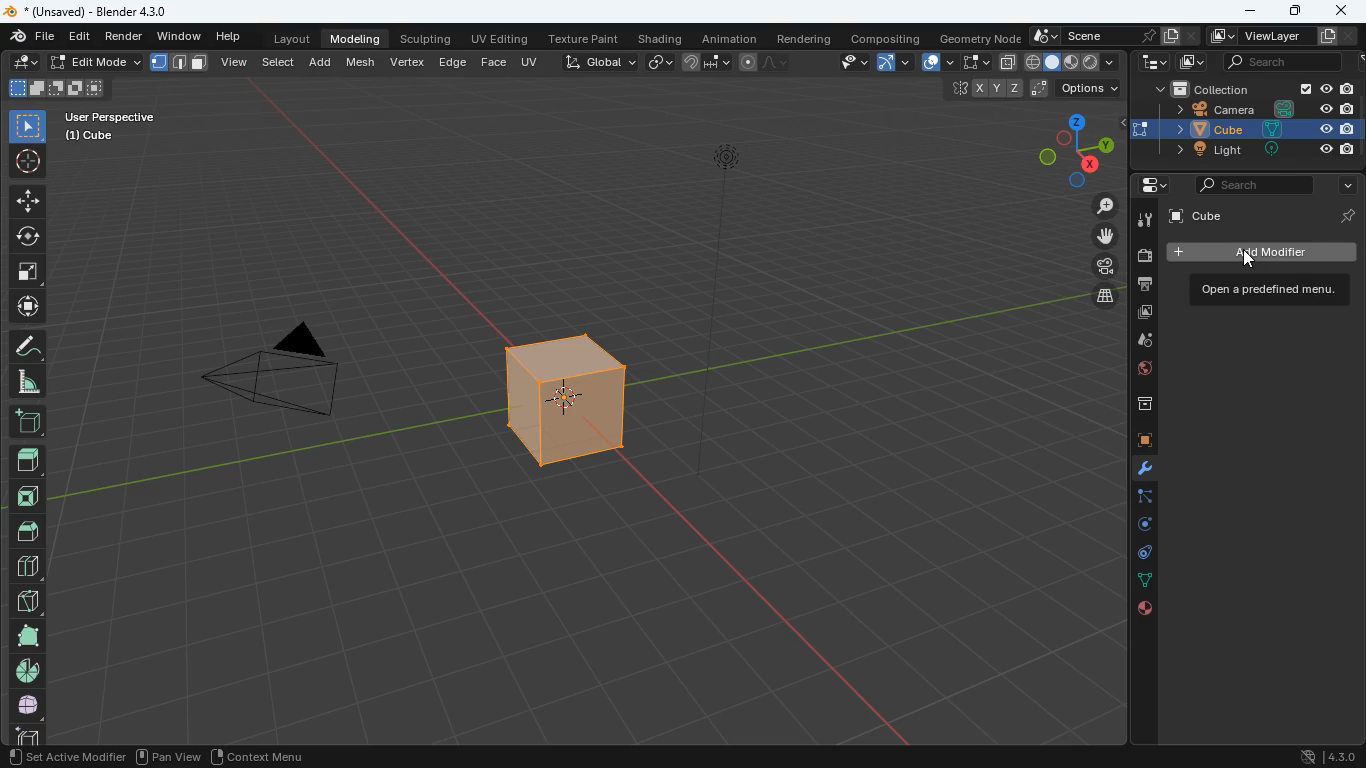 This screenshot has height=768, width=1366. What do you see at coordinates (1114, 34) in the screenshot?
I see `scene` at bounding box center [1114, 34].